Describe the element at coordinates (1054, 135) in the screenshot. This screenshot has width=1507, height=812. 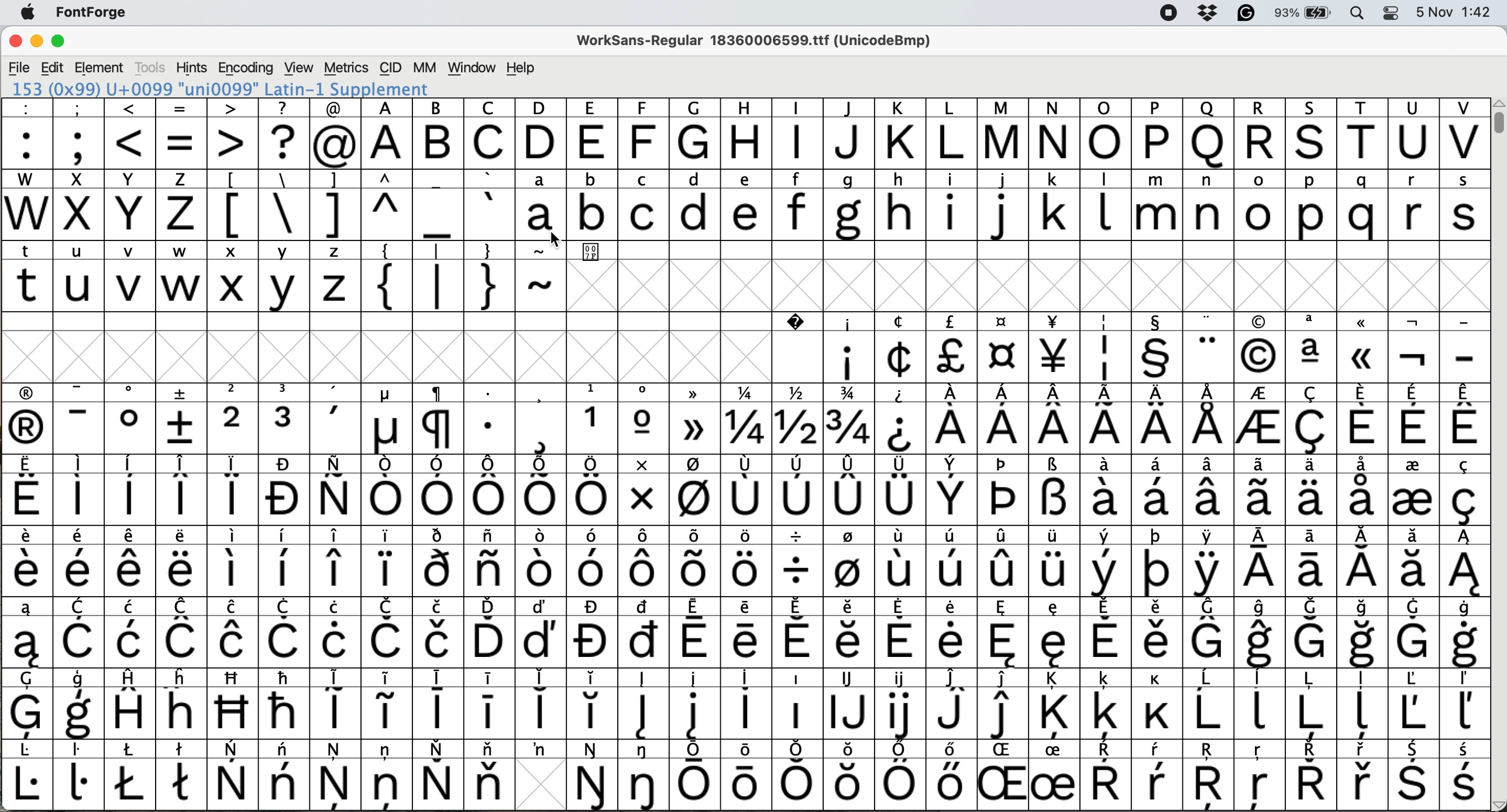
I see `N` at that location.